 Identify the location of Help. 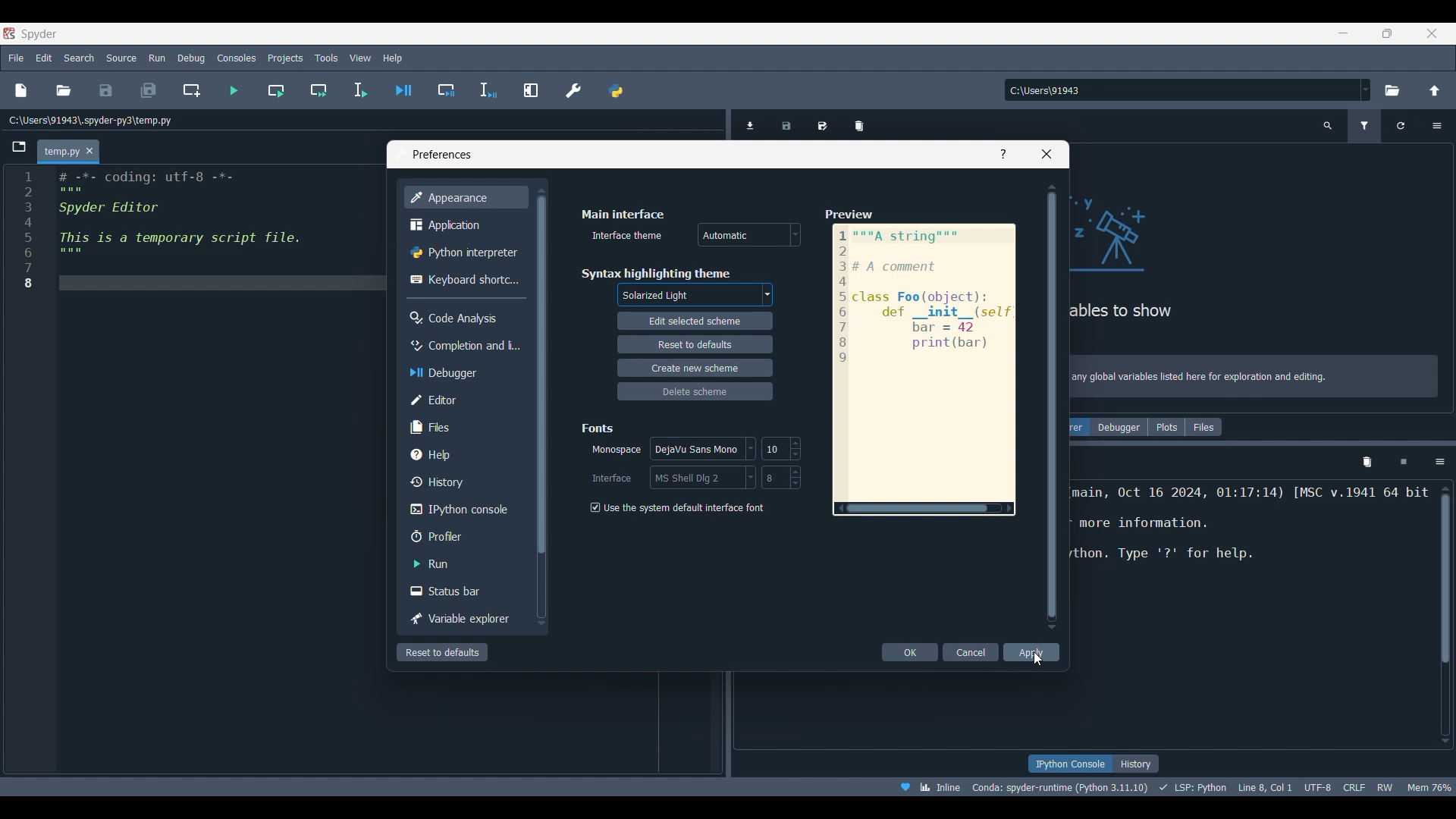
(463, 454).